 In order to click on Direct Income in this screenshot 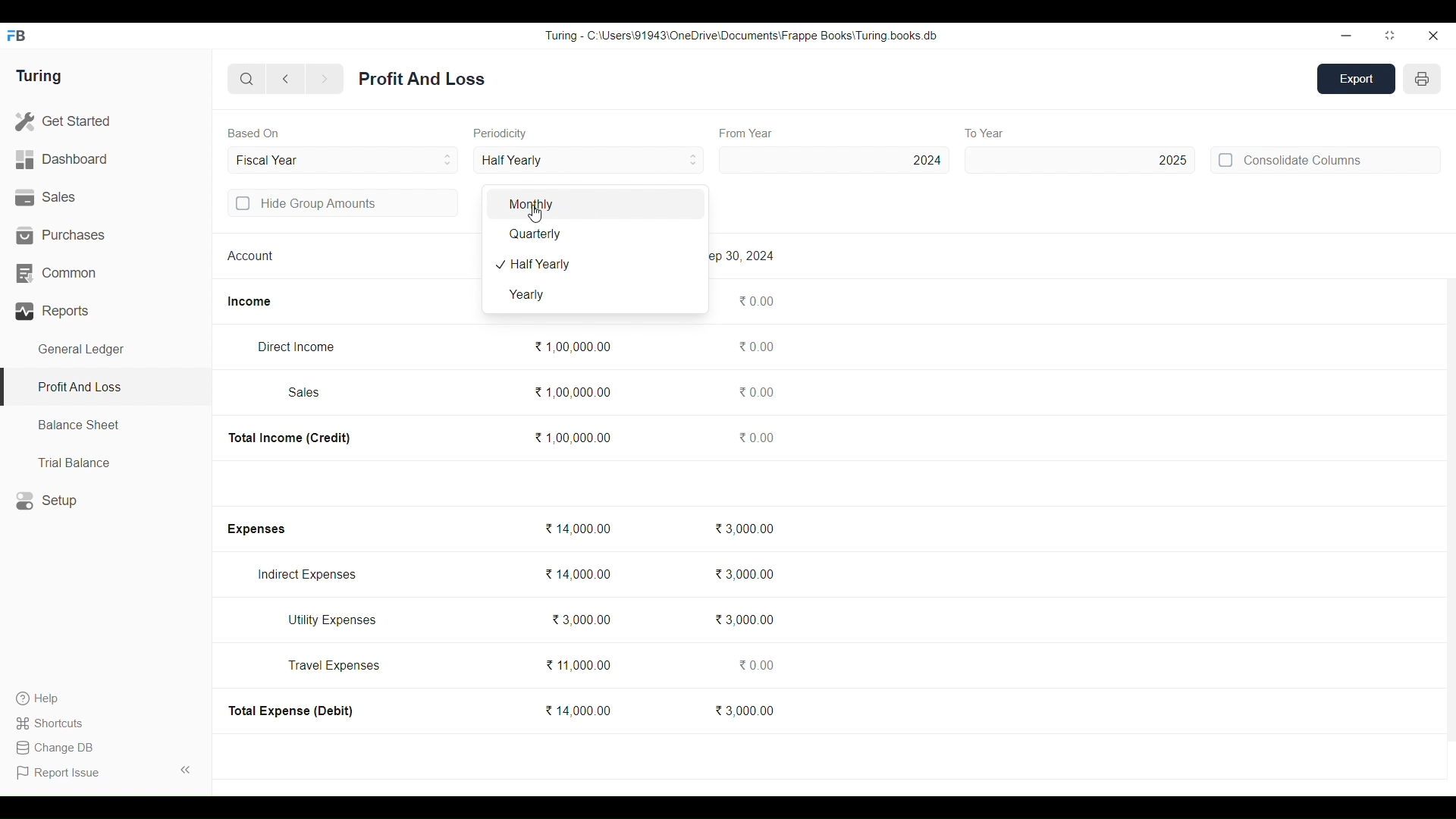, I will do `click(295, 347)`.